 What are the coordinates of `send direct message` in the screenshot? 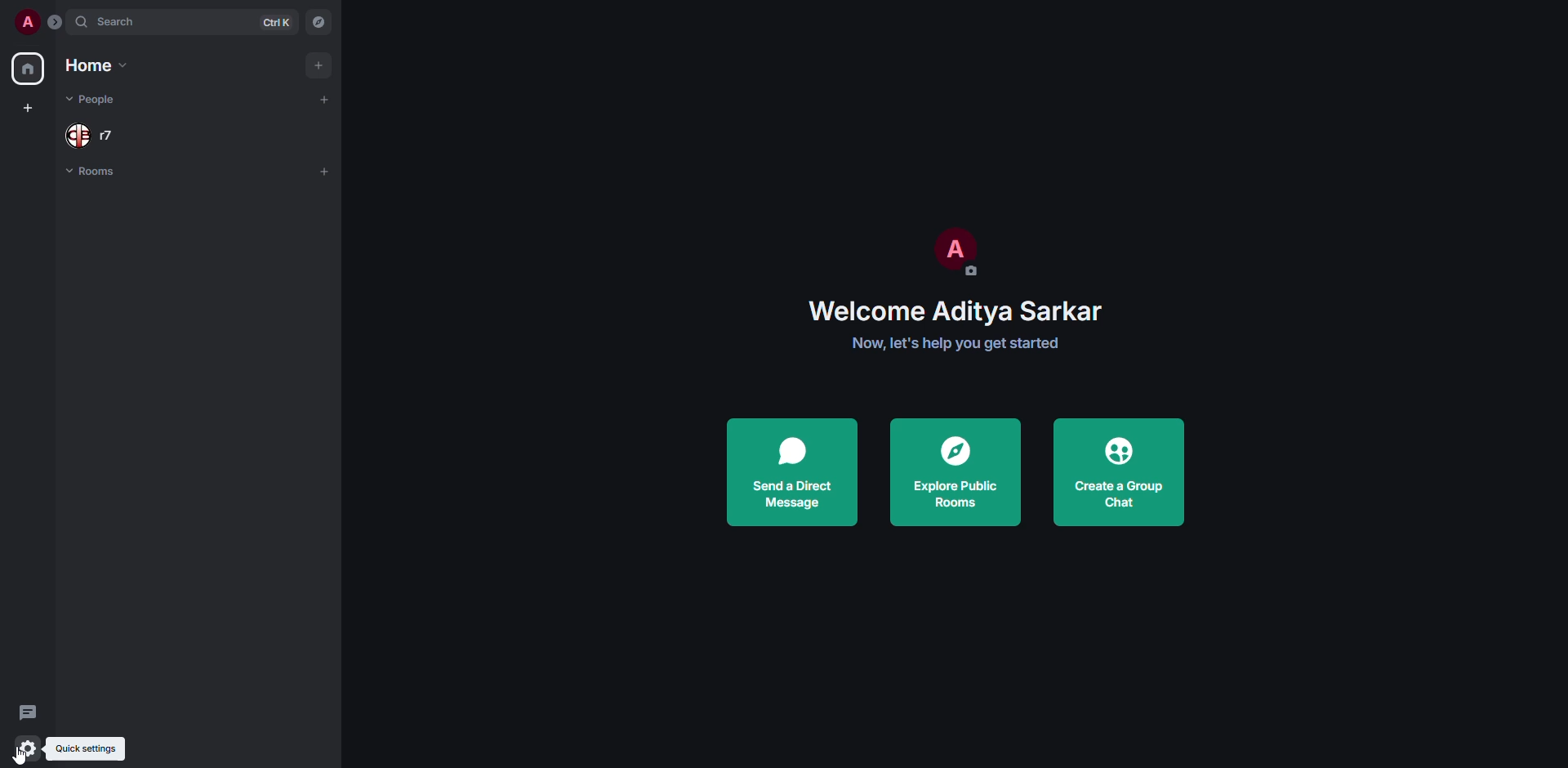 It's located at (794, 473).